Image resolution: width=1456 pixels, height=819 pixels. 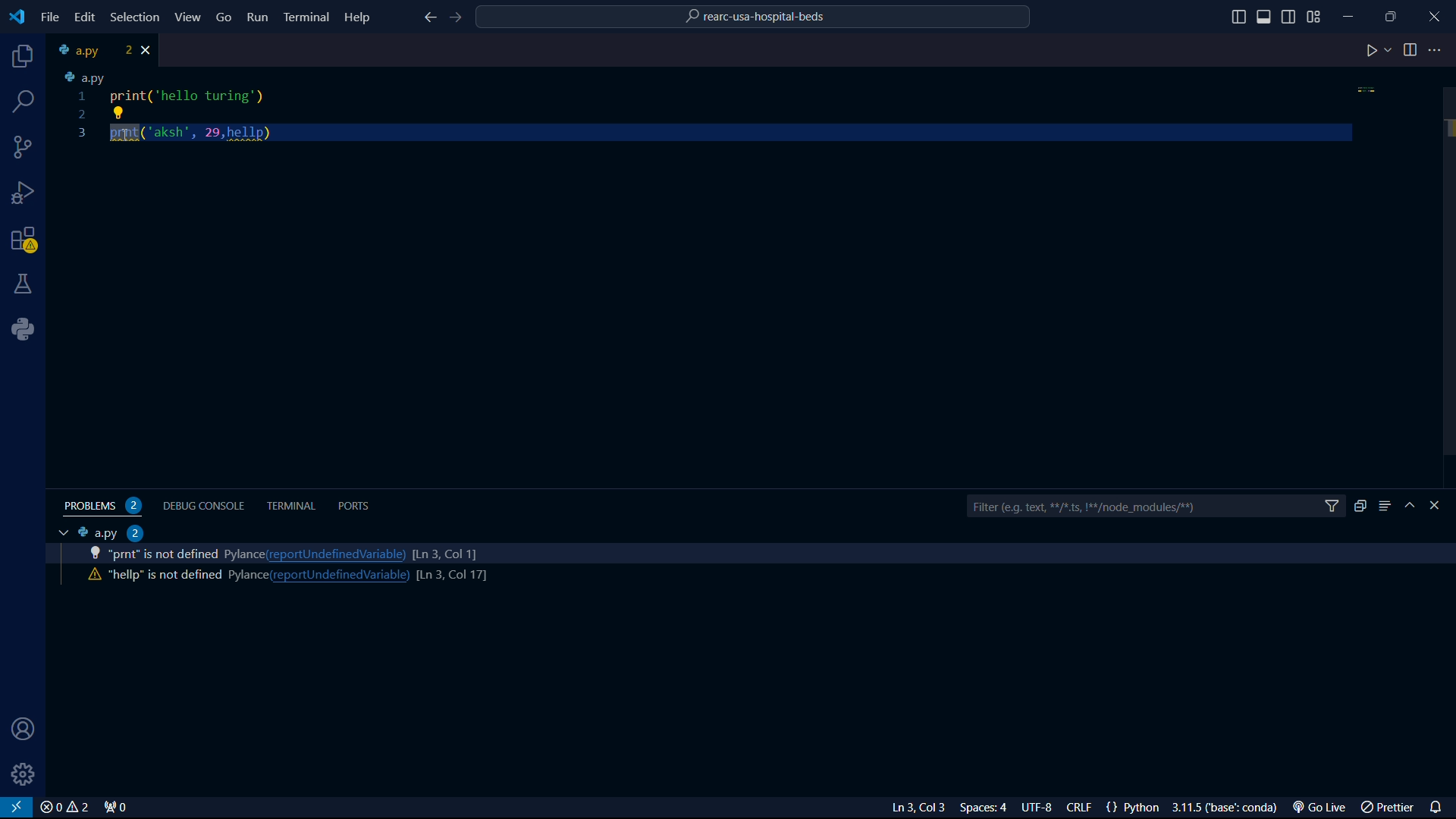 I want to click on tab, so click(x=92, y=50).